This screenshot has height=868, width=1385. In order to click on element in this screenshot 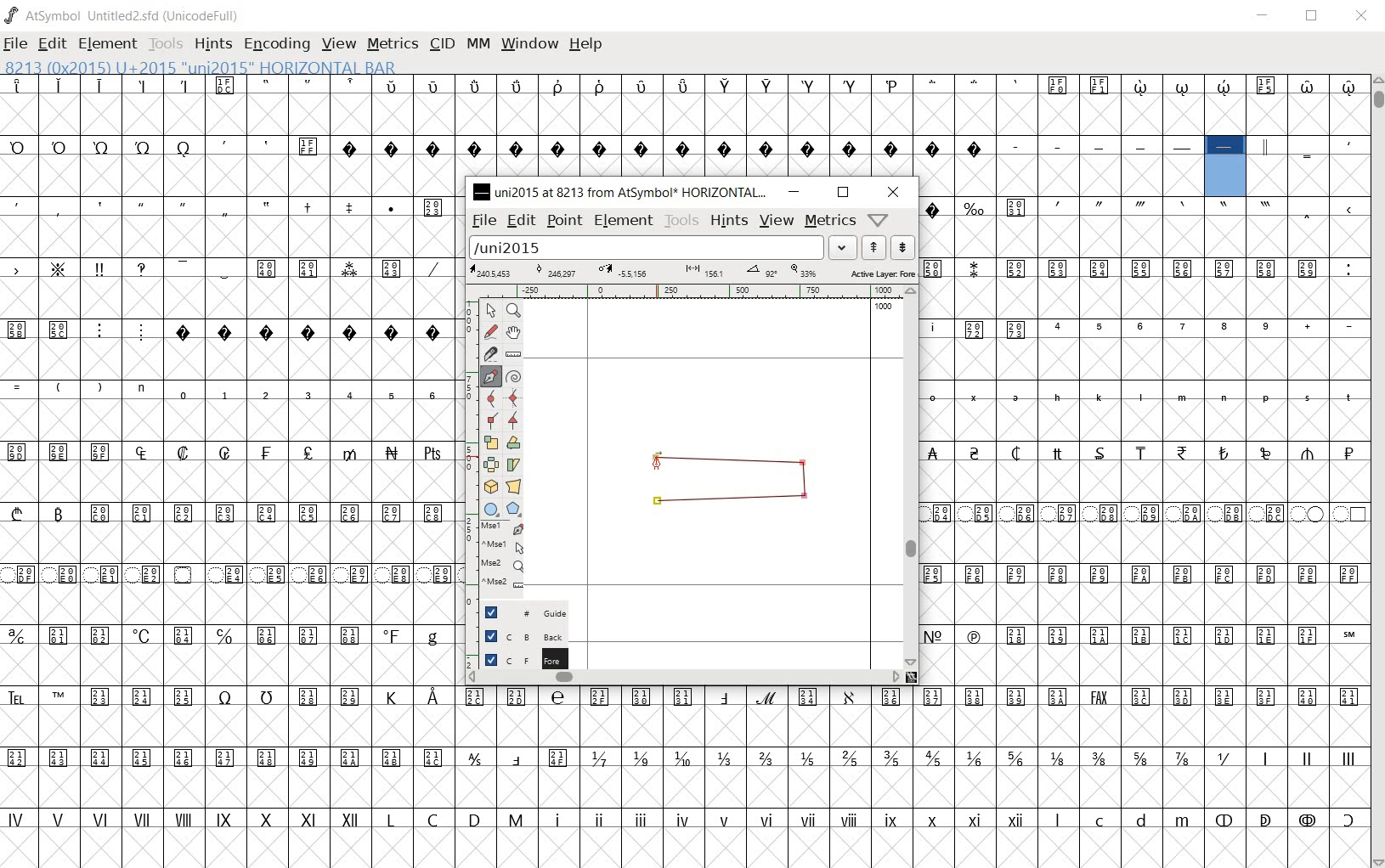, I will do `click(625, 220)`.